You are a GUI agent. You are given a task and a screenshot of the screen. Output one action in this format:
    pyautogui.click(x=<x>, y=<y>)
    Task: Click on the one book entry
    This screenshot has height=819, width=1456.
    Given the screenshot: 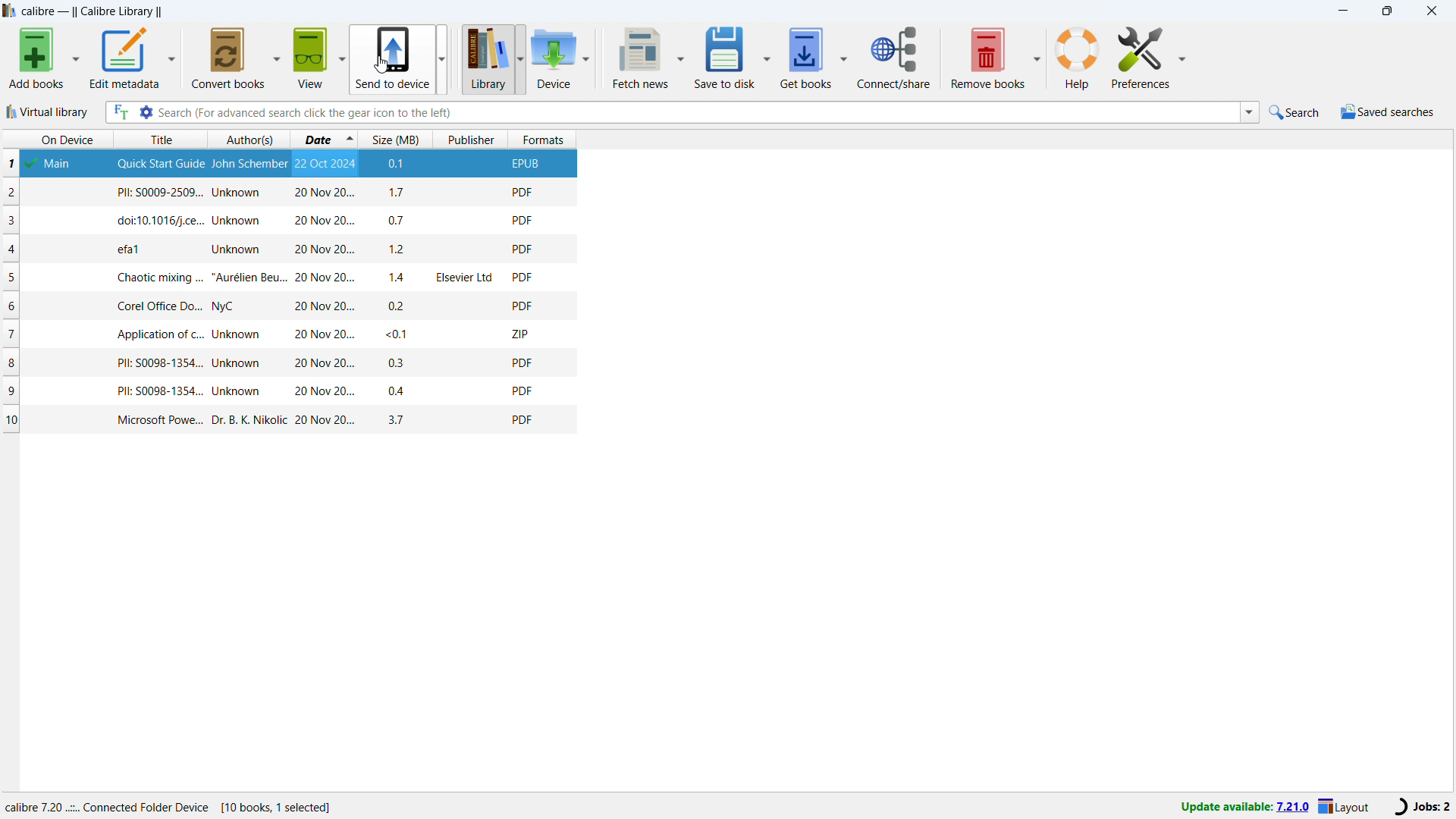 What is the action you would take?
    pyautogui.click(x=285, y=277)
    